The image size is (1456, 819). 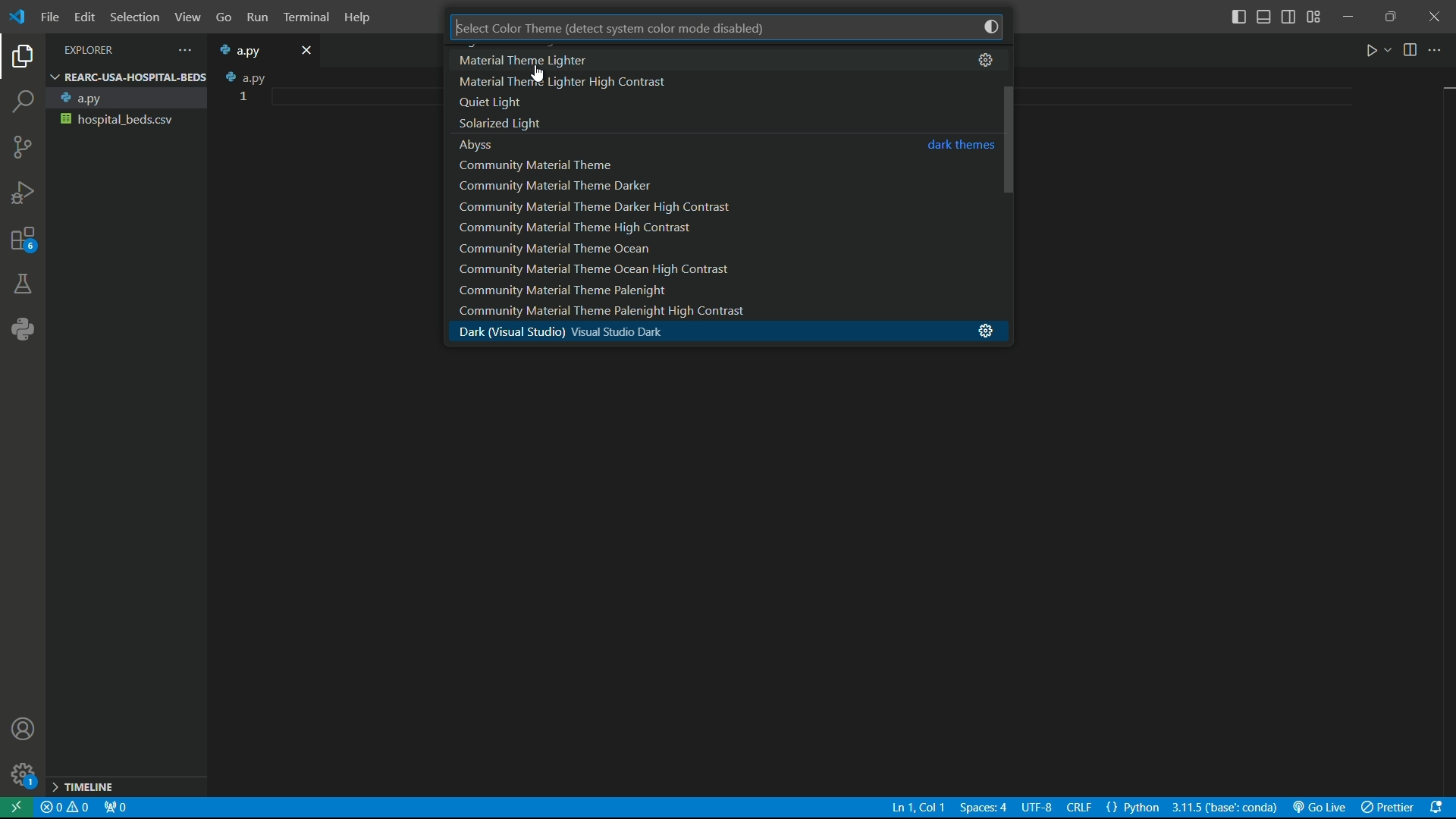 I want to click on Ln 1, Col 1, so click(x=918, y=808).